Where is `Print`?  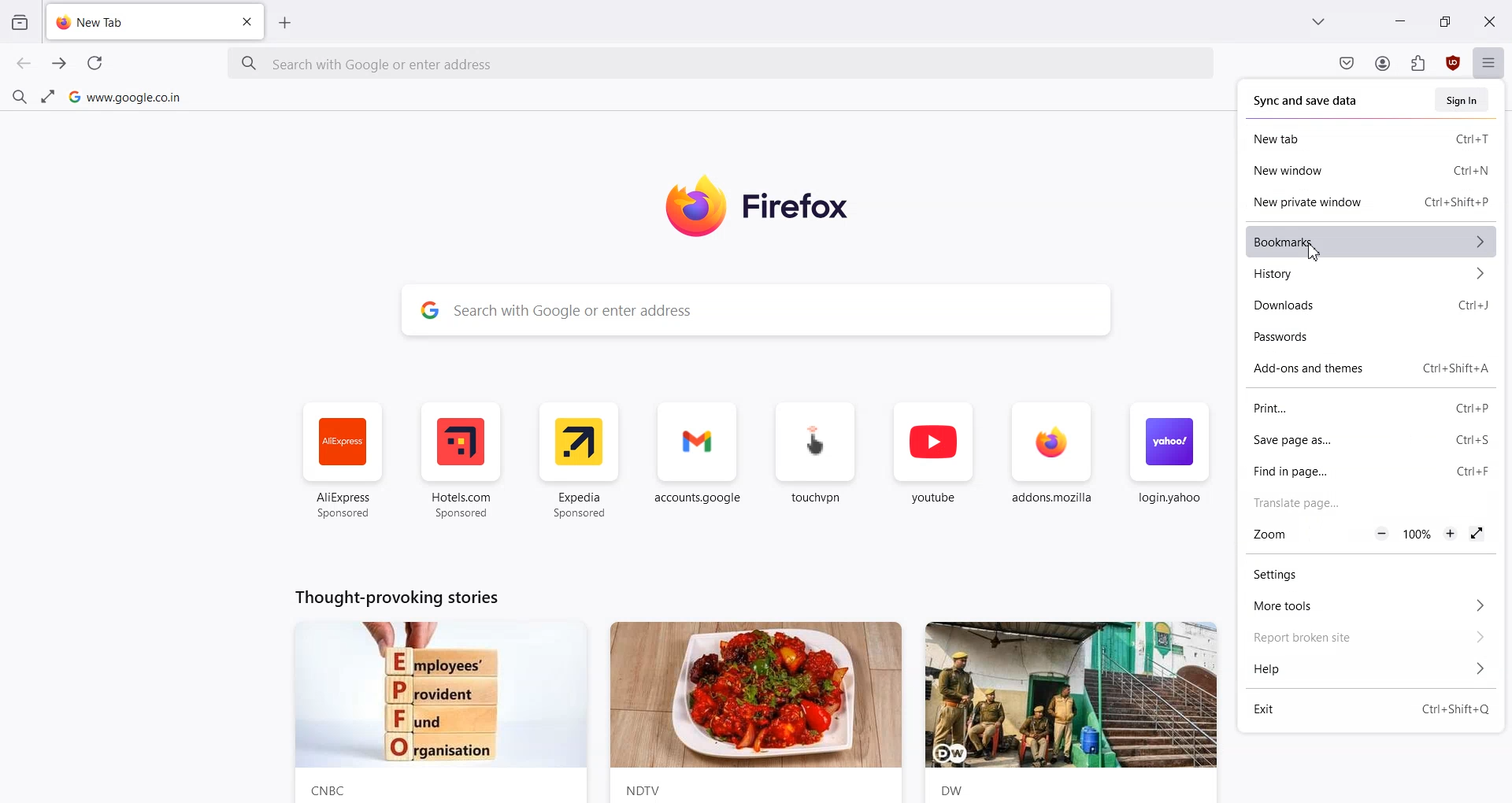
Print is located at coordinates (1339, 409).